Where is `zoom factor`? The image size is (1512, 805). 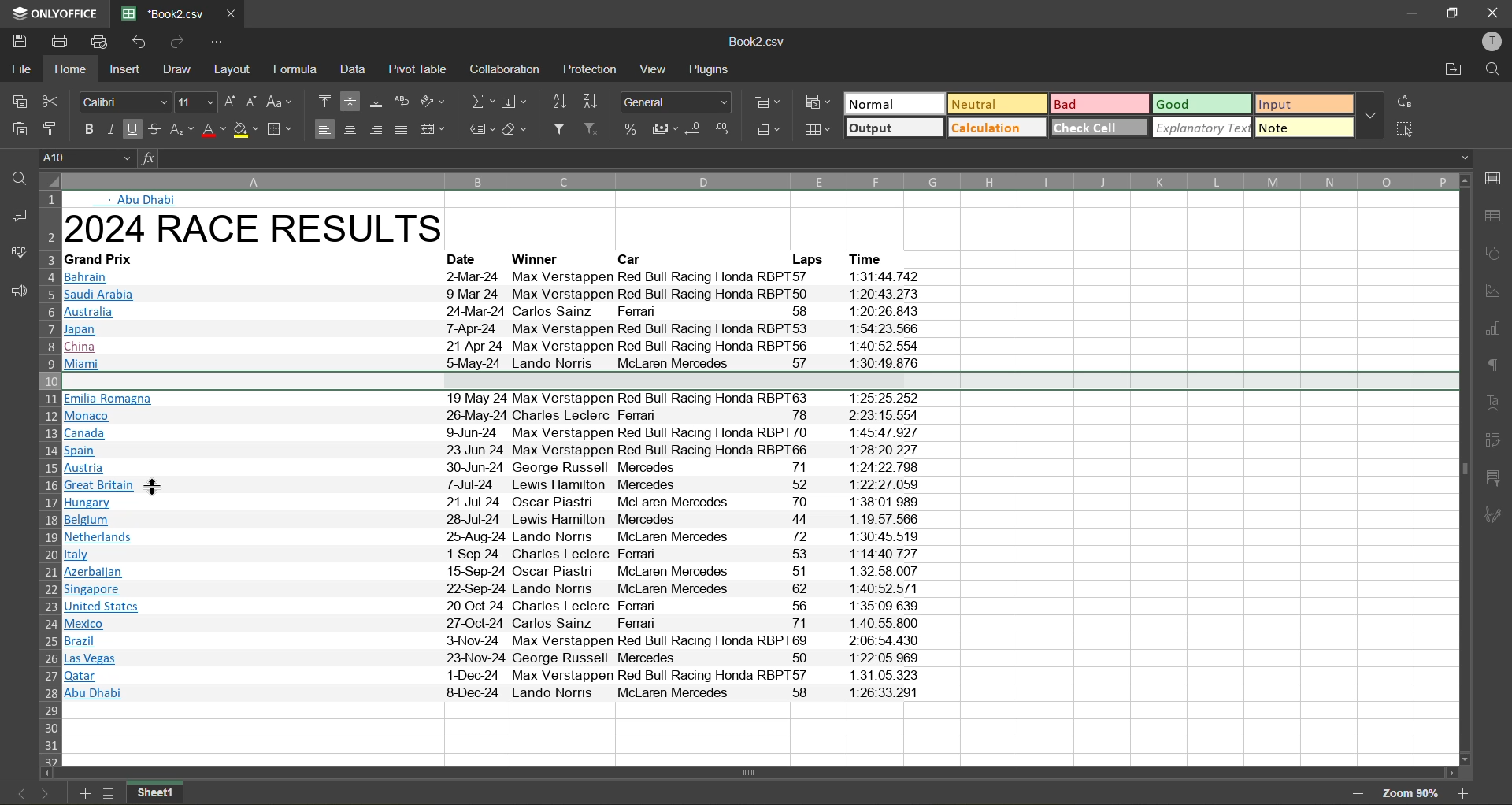 zoom factor is located at coordinates (1410, 793).